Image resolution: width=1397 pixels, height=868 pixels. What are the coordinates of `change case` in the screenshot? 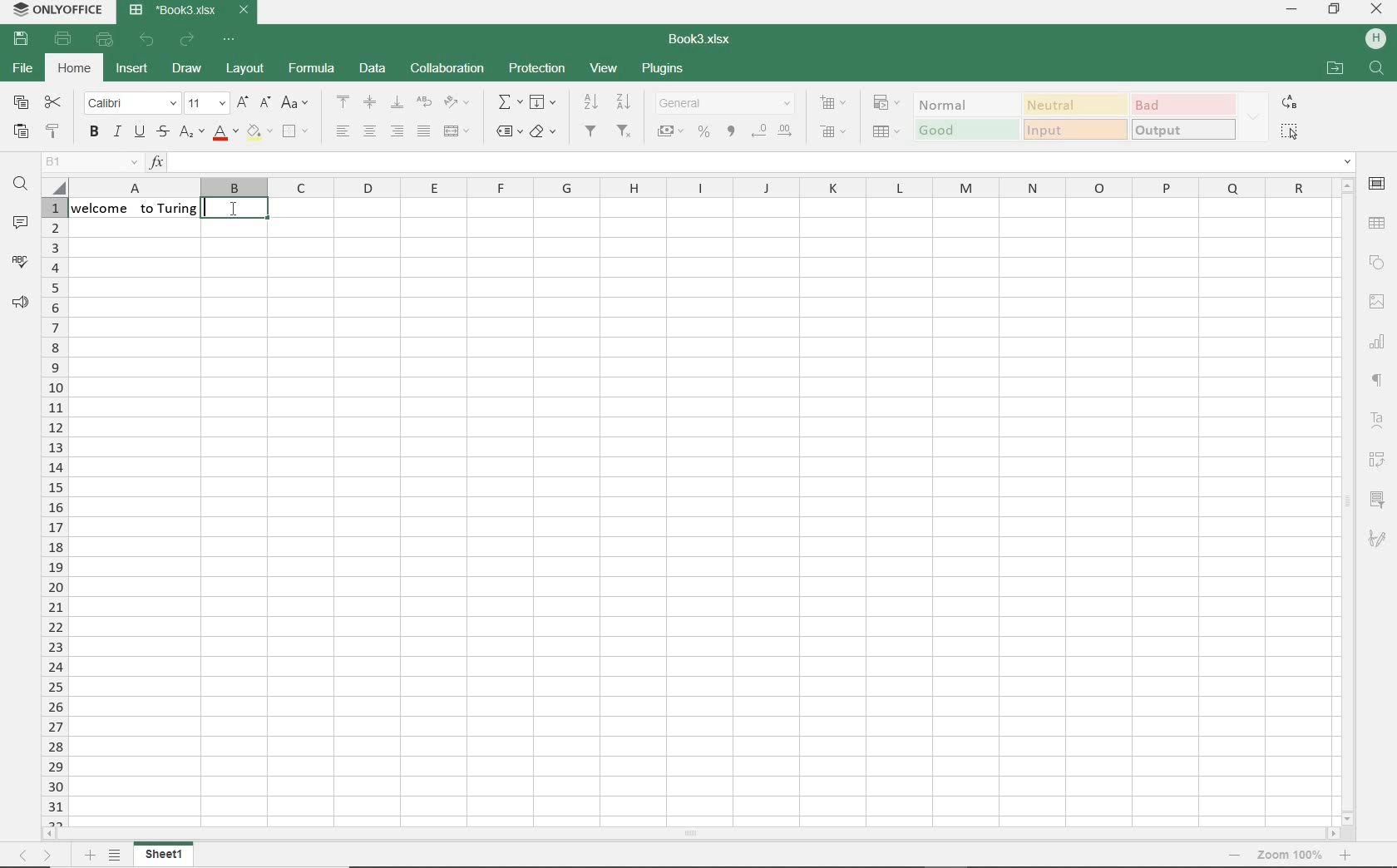 It's located at (295, 104).